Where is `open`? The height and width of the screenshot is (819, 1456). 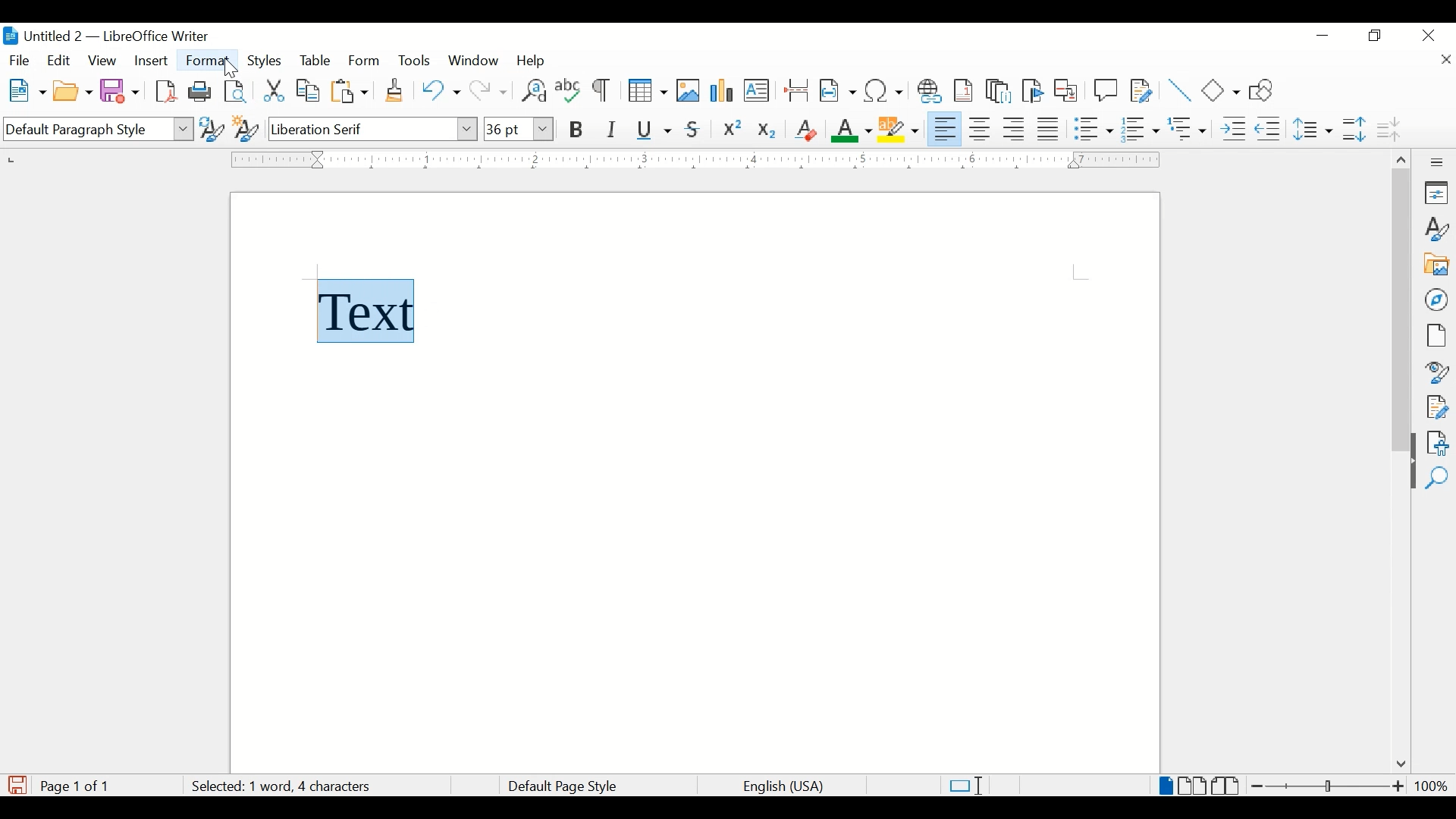 open is located at coordinates (72, 92).